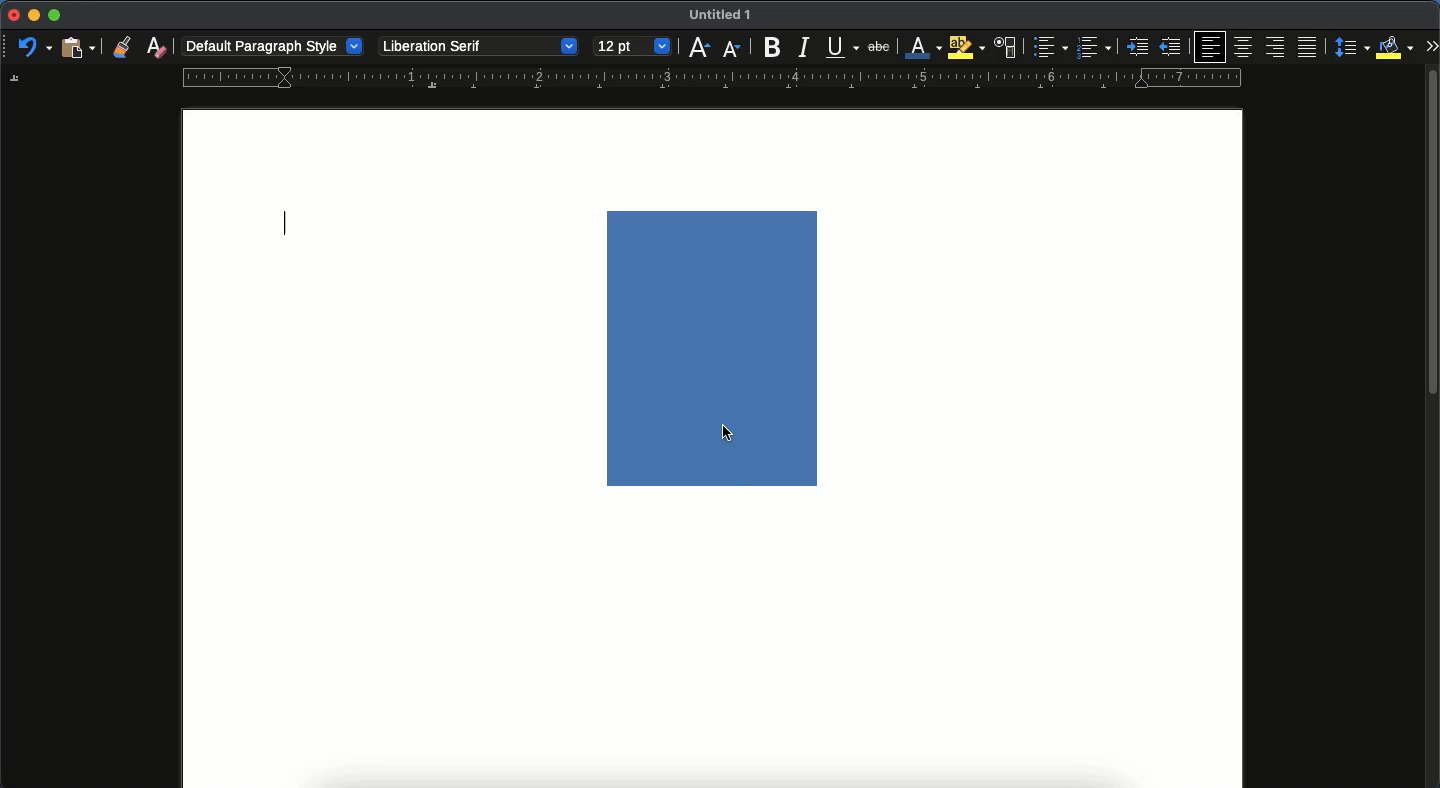  What do you see at coordinates (769, 46) in the screenshot?
I see `bold` at bounding box center [769, 46].